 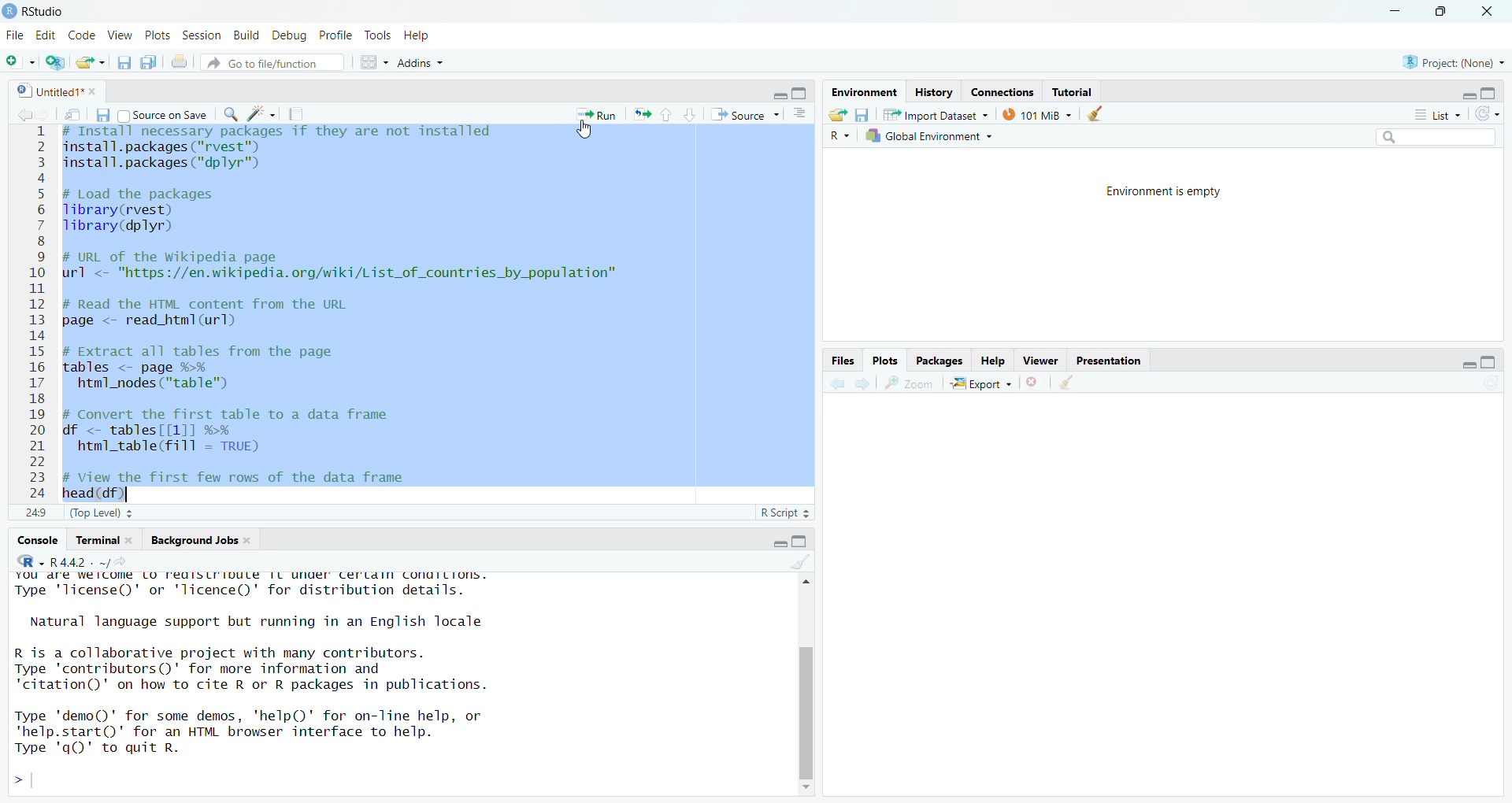 I want to click on Viewer, so click(x=1041, y=360).